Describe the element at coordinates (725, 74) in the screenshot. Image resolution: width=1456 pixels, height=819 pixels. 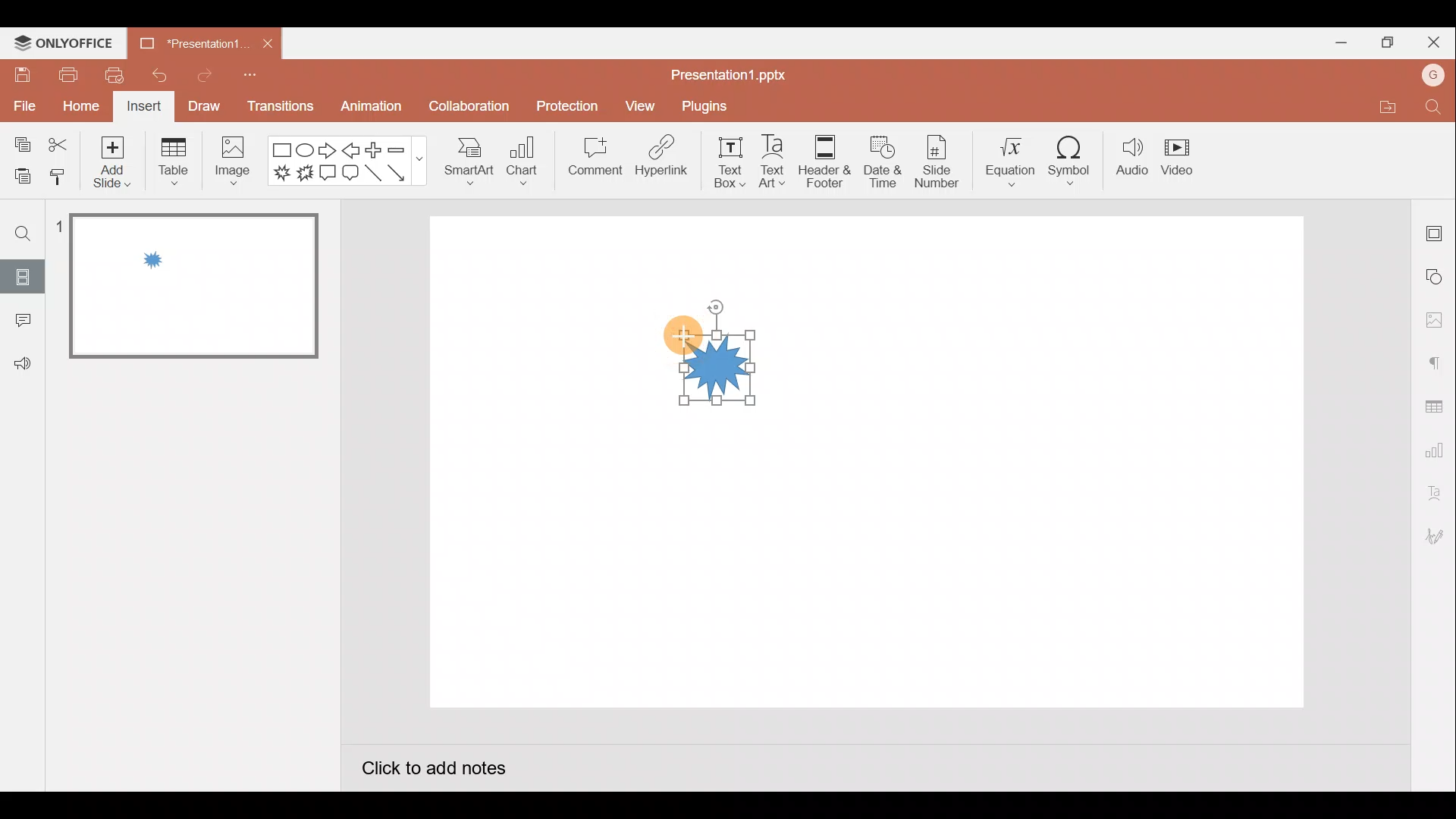
I see `Presentation1.pptx` at that location.